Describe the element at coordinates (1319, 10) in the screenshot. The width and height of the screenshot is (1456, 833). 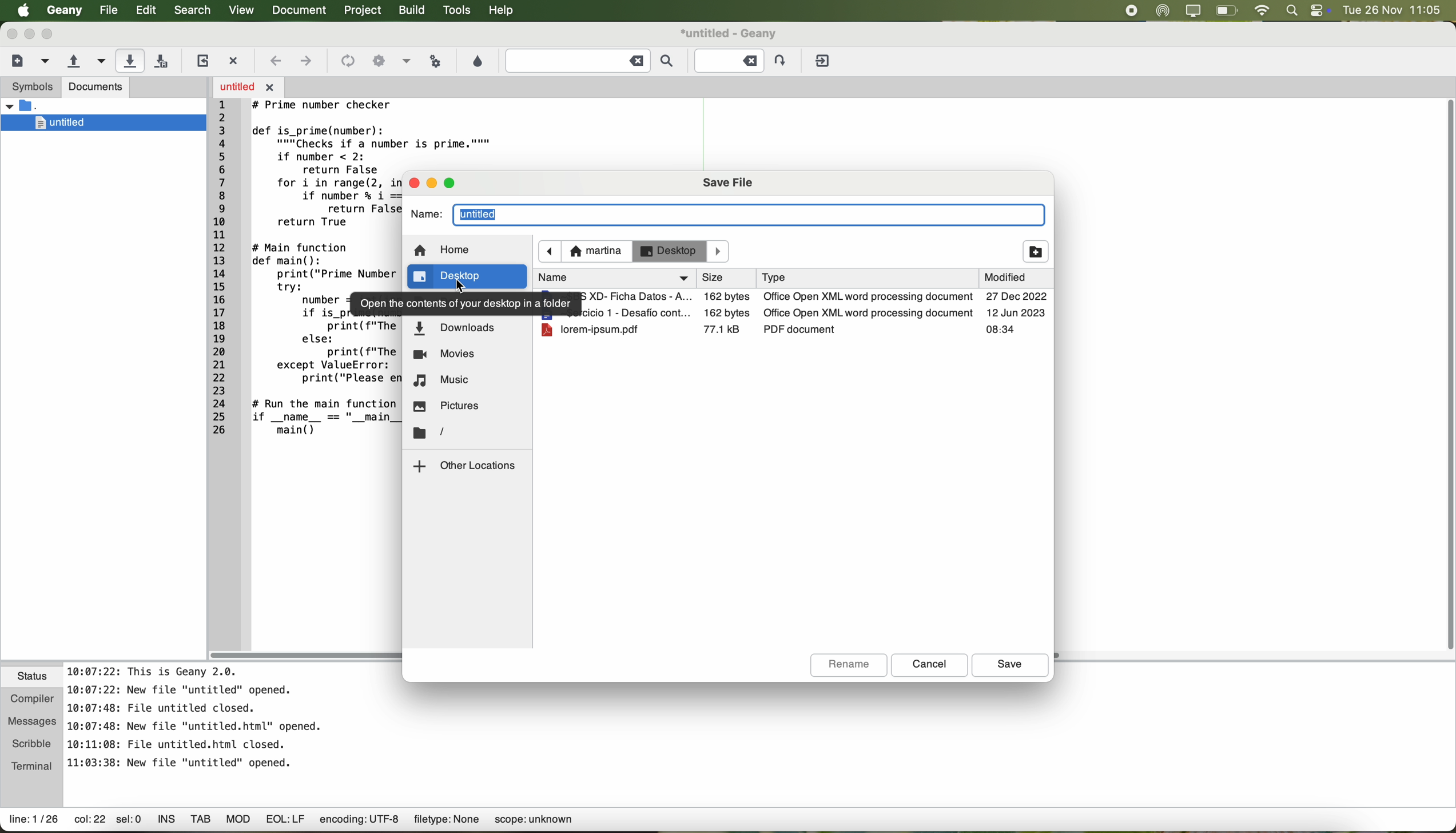
I see `controls` at that location.